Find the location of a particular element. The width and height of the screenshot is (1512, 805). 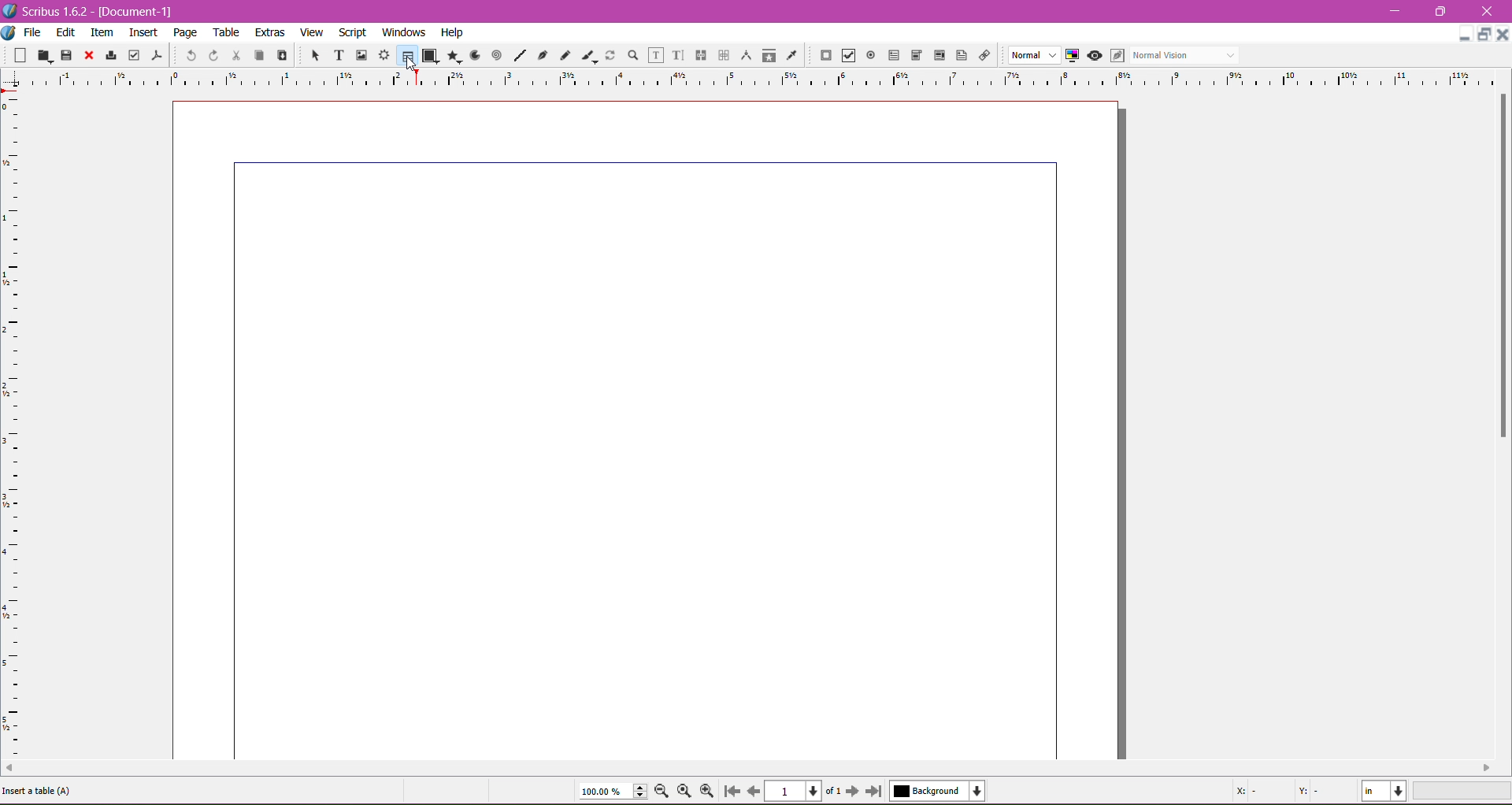

Page is located at coordinates (183, 32).